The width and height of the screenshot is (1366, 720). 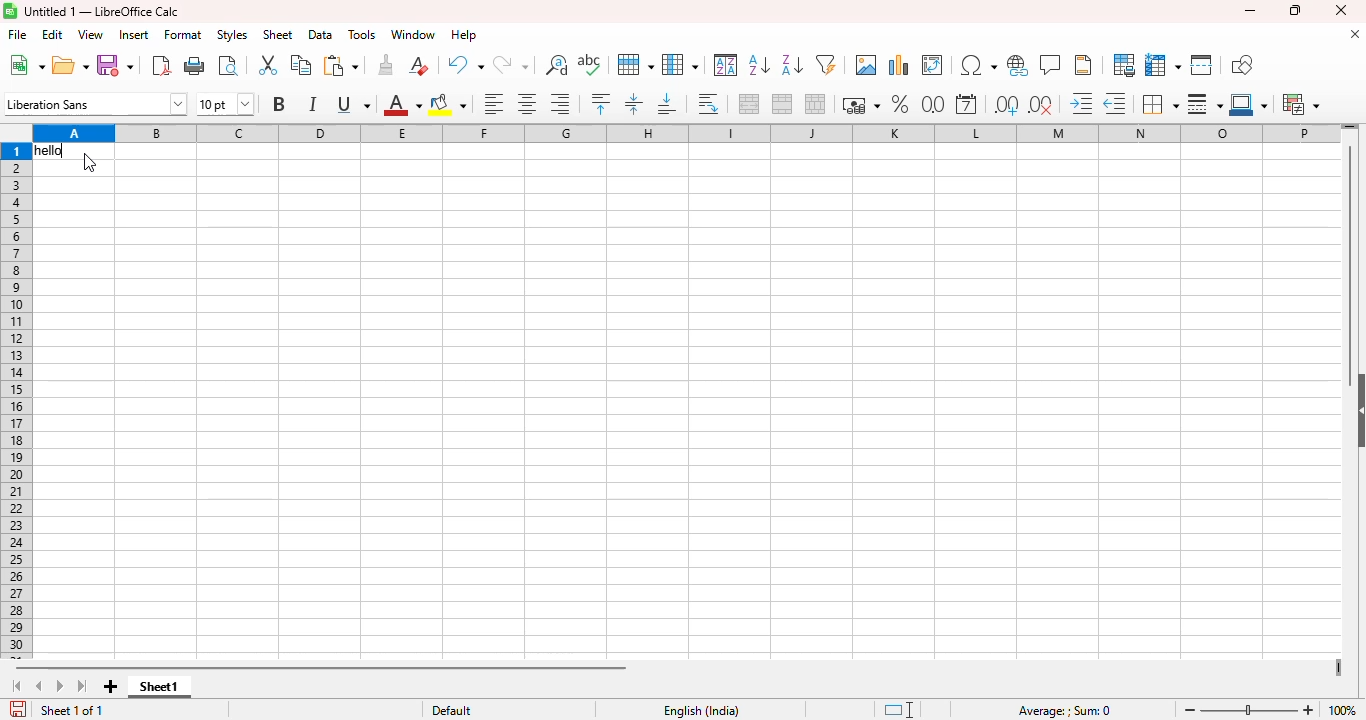 What do you see at coordinates (90, 163) in the screenshot?
I see `cursor` at bounding box center [90, 163].